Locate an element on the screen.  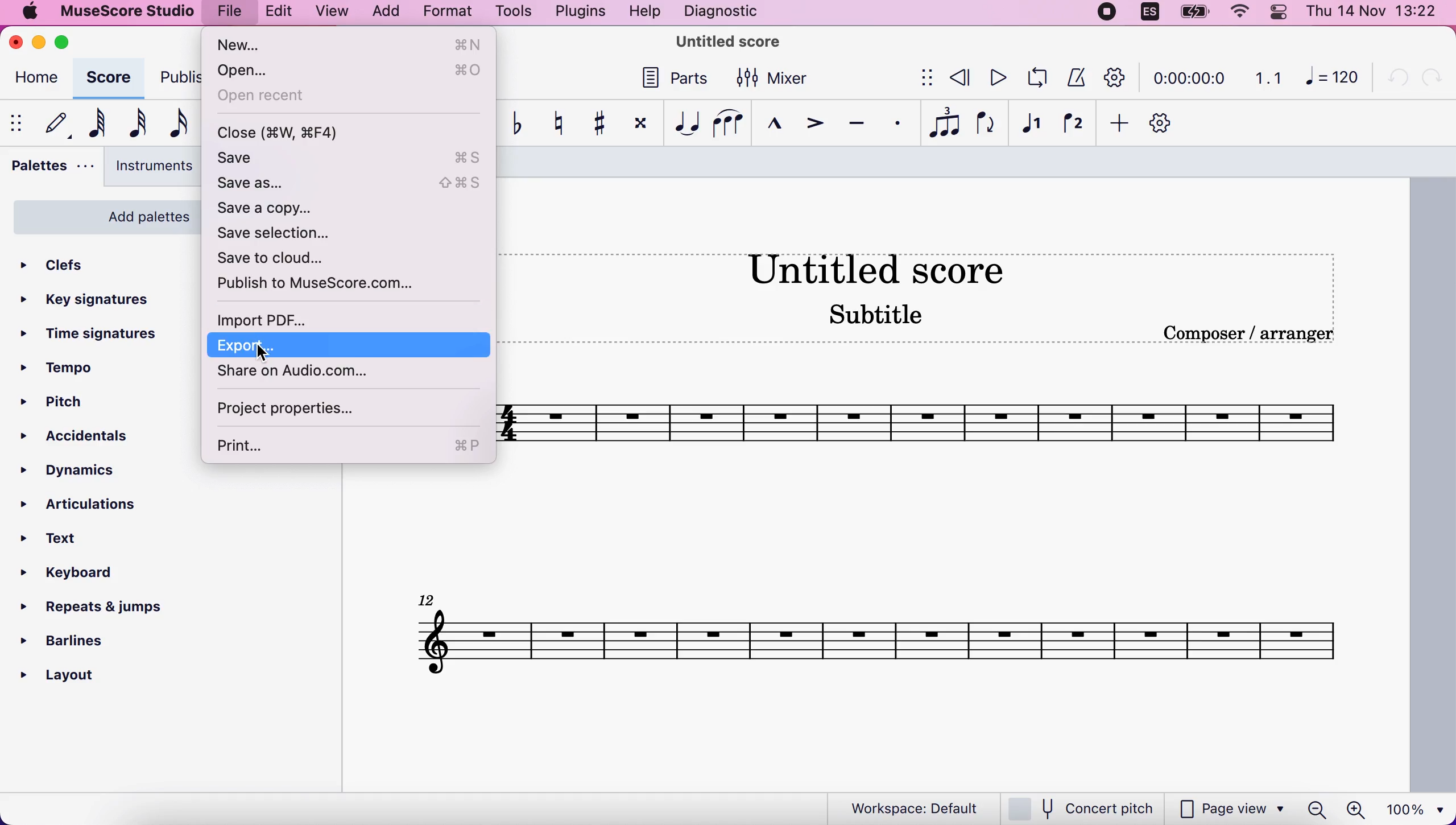
1.1 is located at coordinates (1267, 79).